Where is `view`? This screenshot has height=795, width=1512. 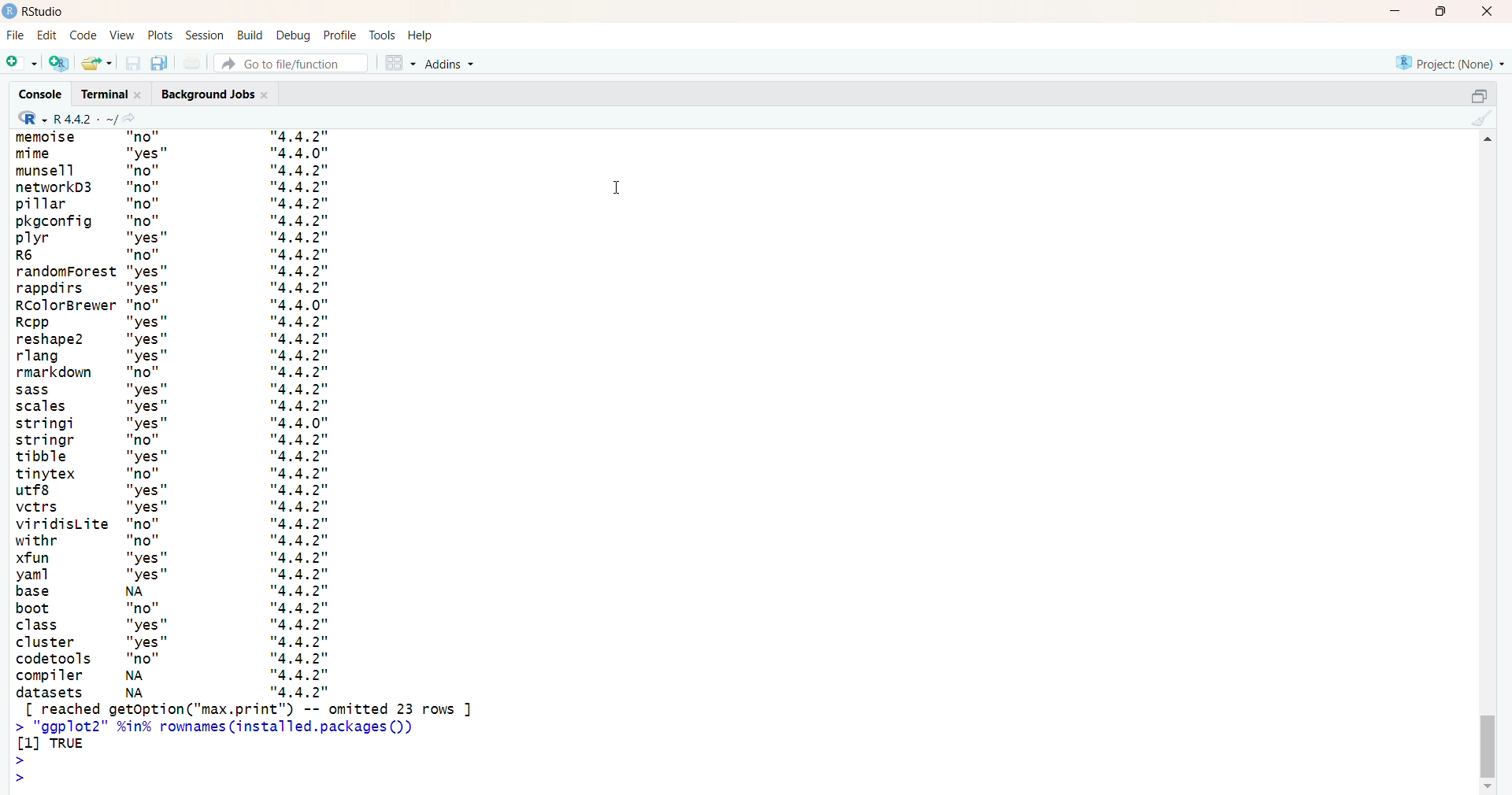 view is located at coordinates (121, 34).